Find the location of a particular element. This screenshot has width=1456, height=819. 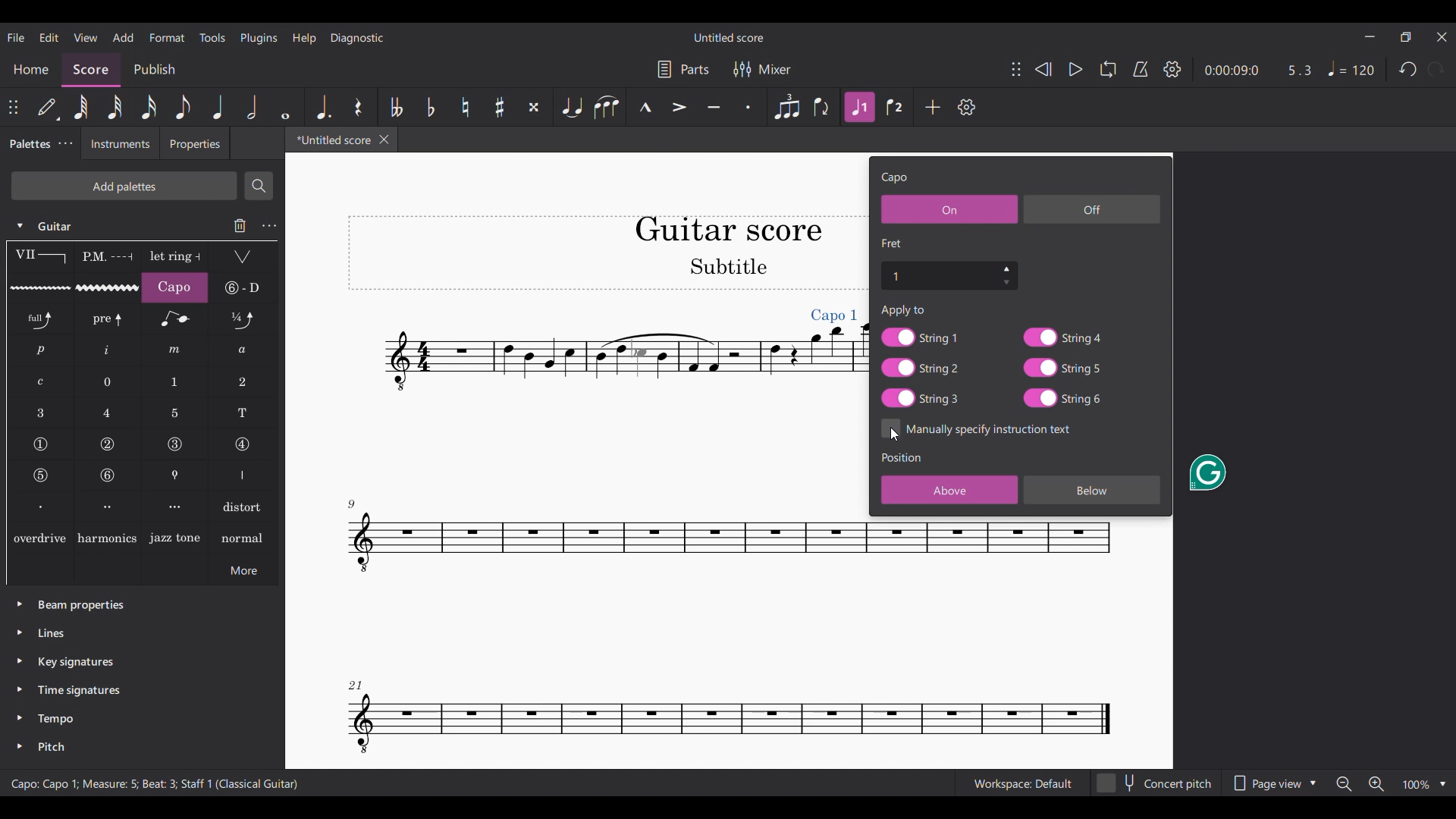

Click to collapse  is located at coordinates (20, 226).